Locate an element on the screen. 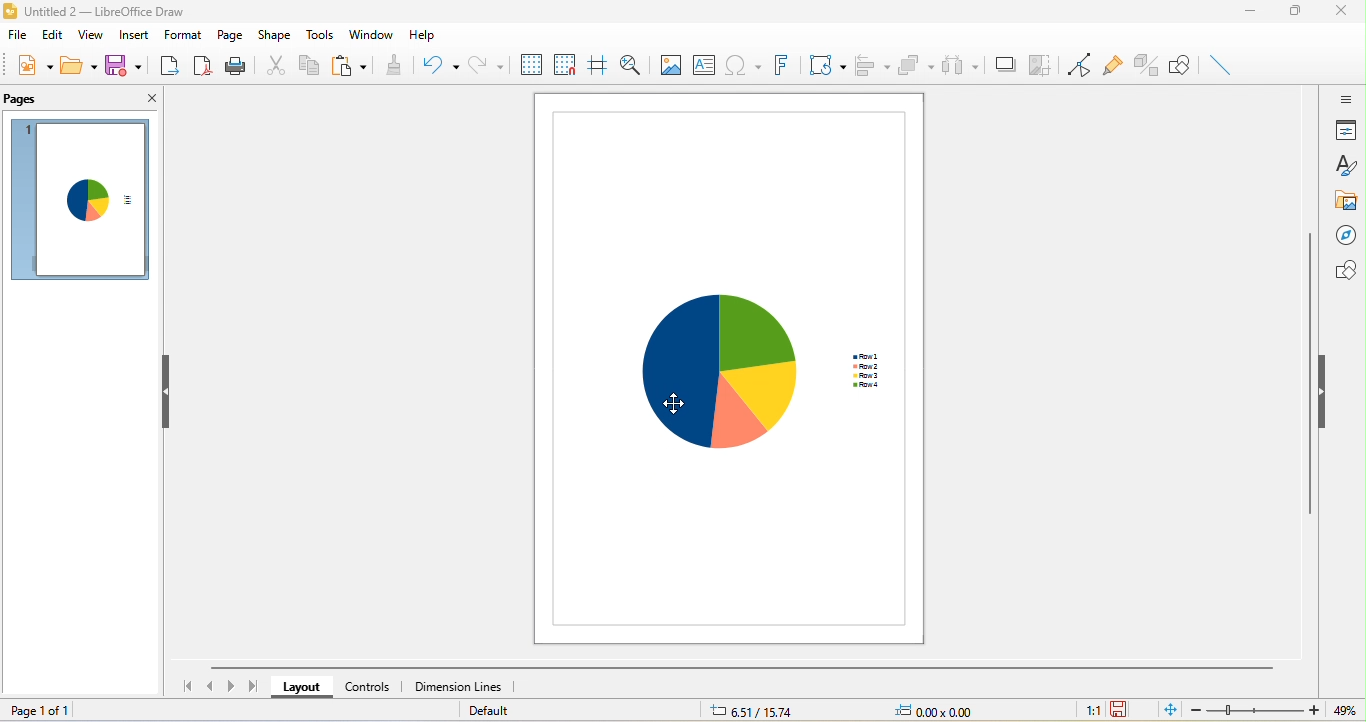  fit page is located at coordinates (1170, 710).